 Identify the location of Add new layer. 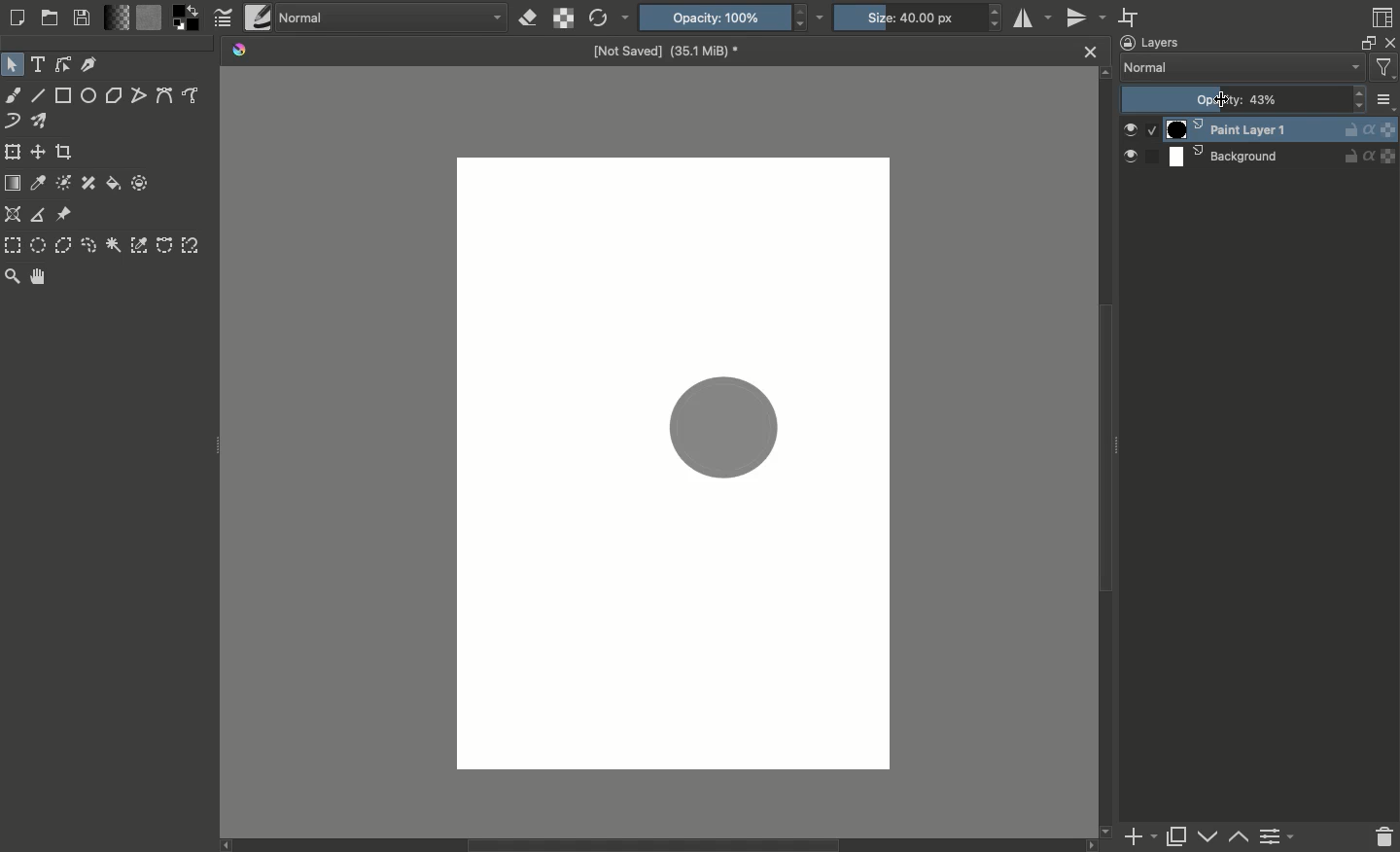
(1141, 837).